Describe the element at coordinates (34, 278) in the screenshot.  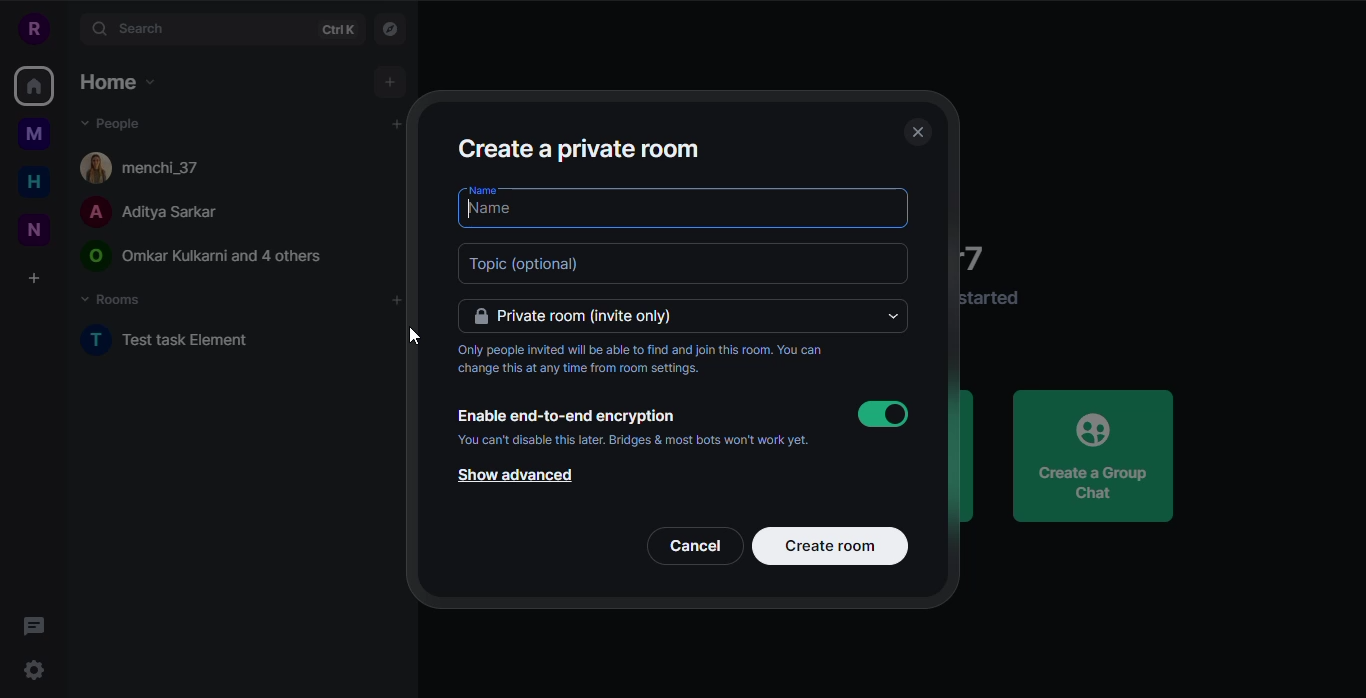
I see `create a space` at that location.